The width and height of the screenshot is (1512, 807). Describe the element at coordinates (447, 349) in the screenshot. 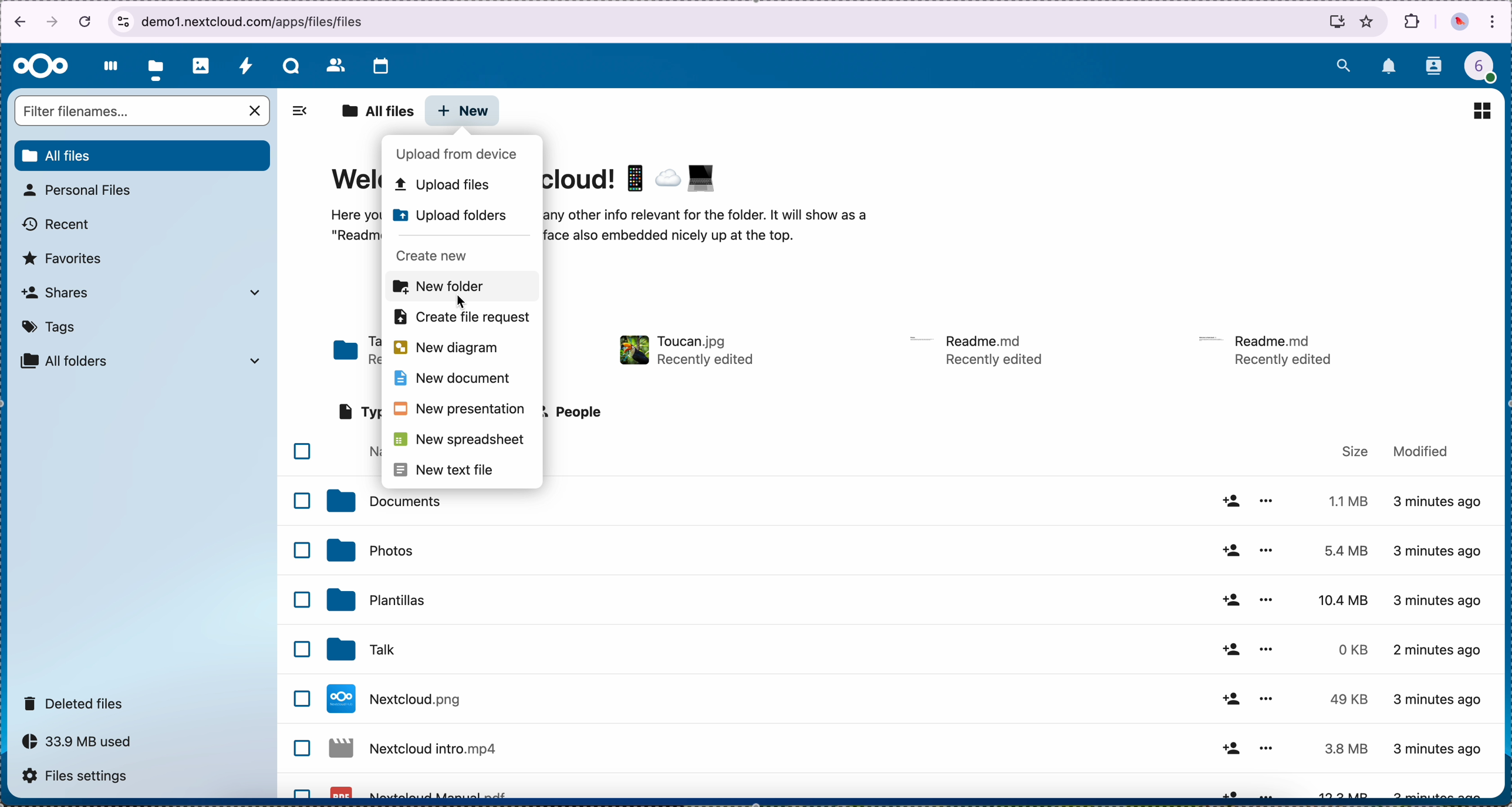

I see `new diagram` at that location.